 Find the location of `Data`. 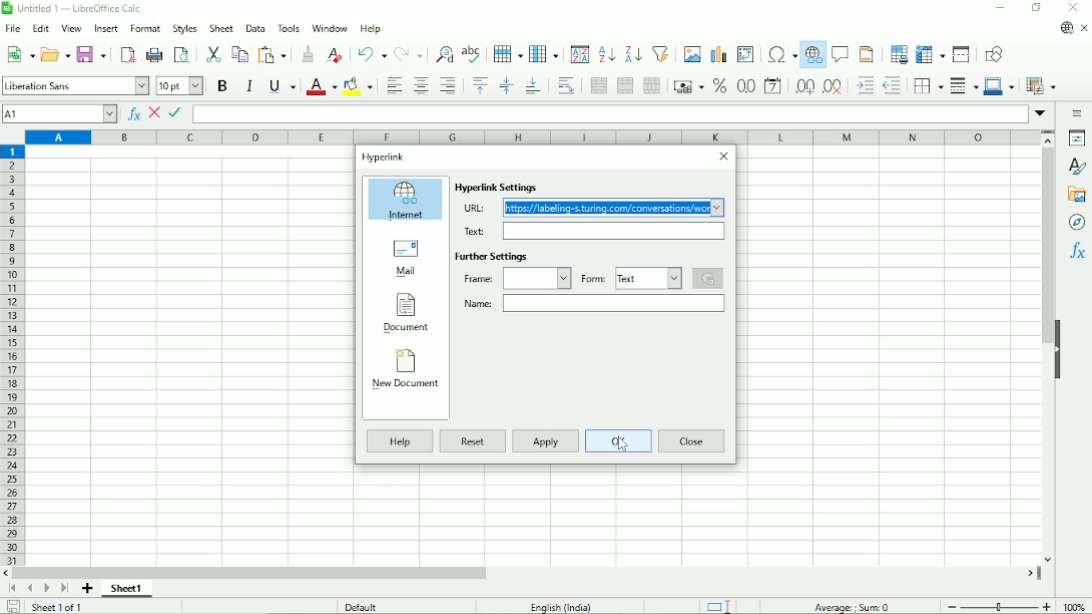

Data is located at coordinates (256, 27).